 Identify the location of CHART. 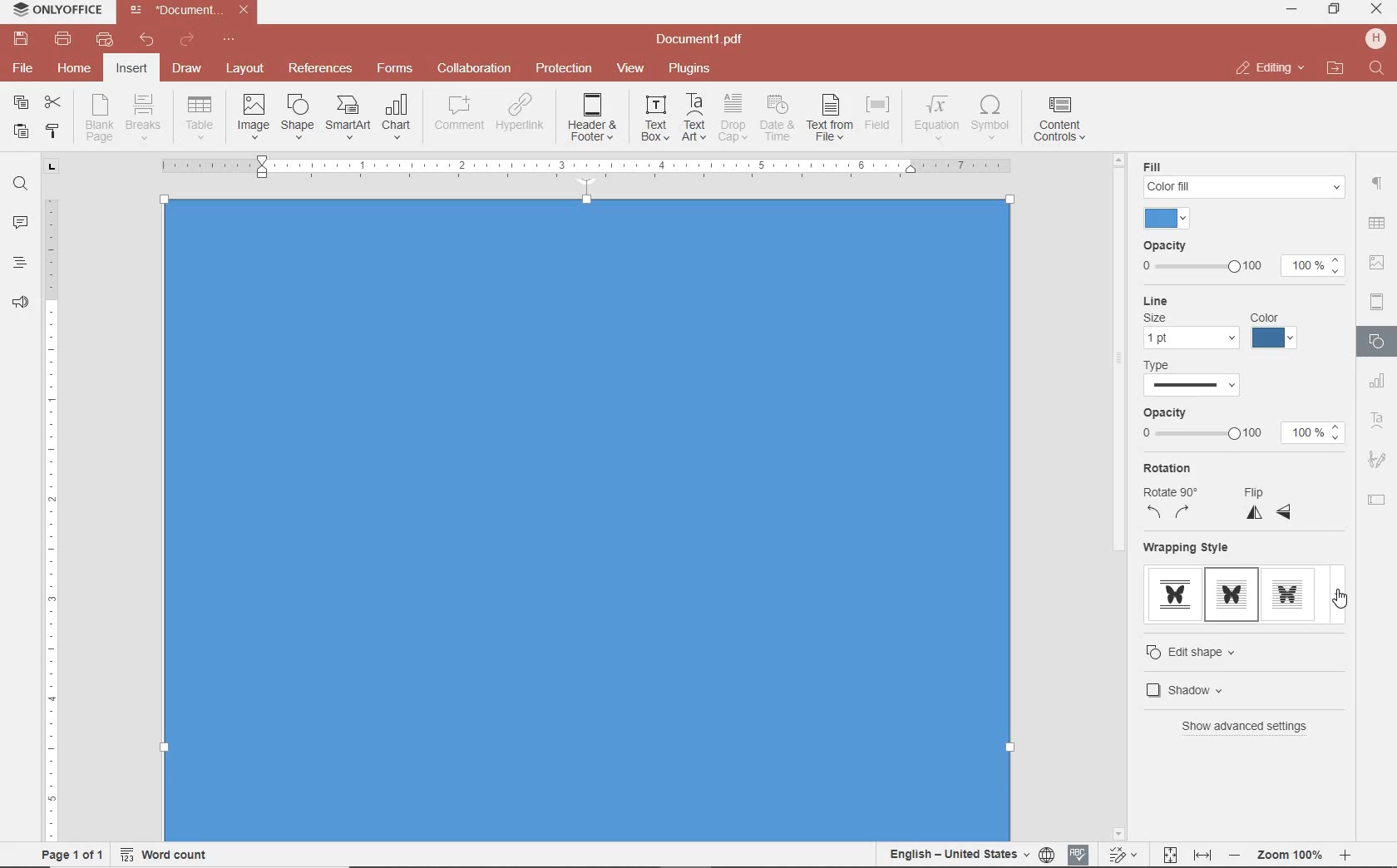
(1378, 382).